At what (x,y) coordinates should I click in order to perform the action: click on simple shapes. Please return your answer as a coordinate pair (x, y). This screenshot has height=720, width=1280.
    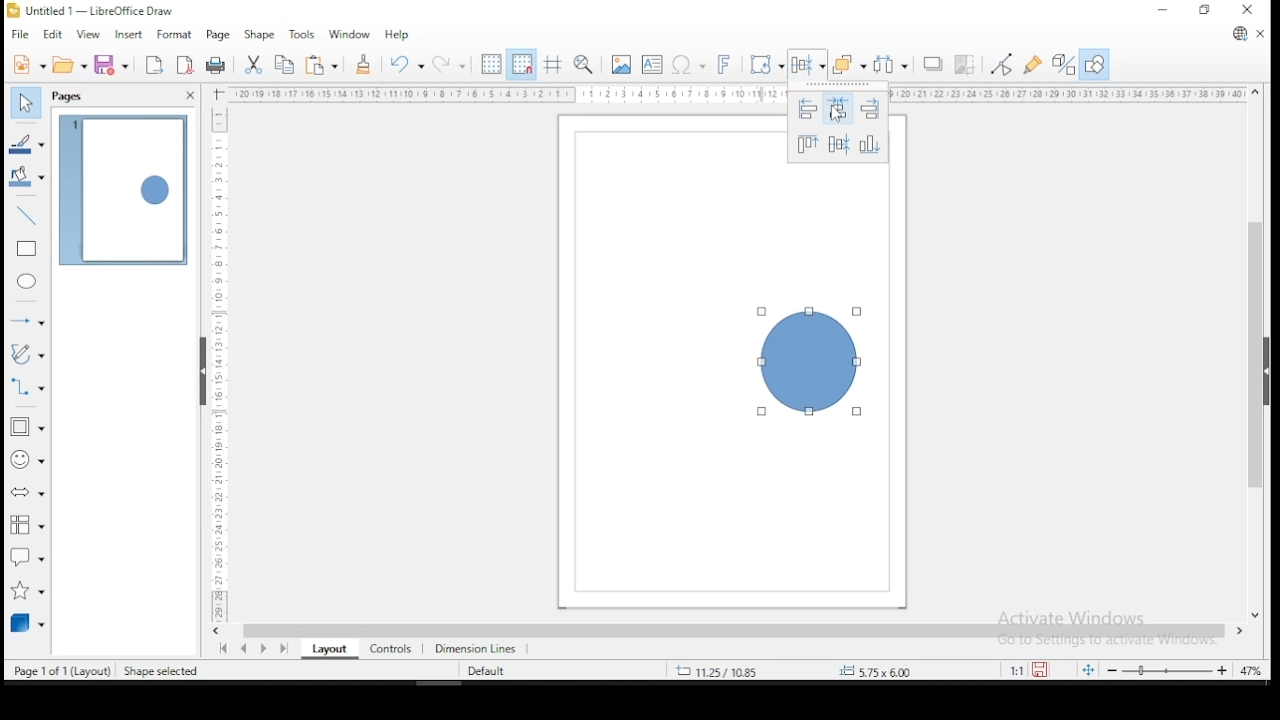
    Looking at the image, I should click on (28, 427).